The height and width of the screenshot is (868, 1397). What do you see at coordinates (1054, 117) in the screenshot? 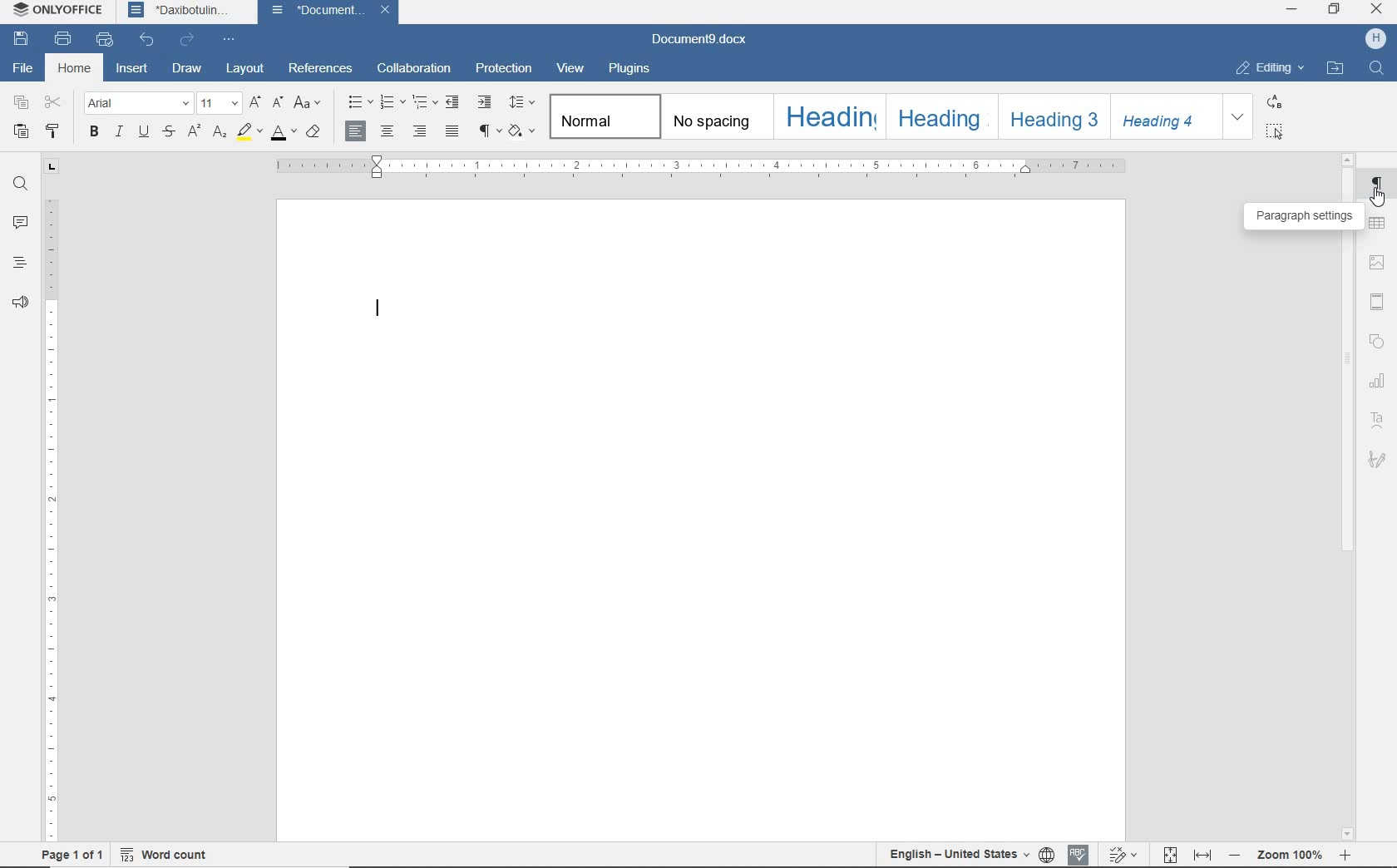
I see `Heading 3` at bounding box center [1054, 117].